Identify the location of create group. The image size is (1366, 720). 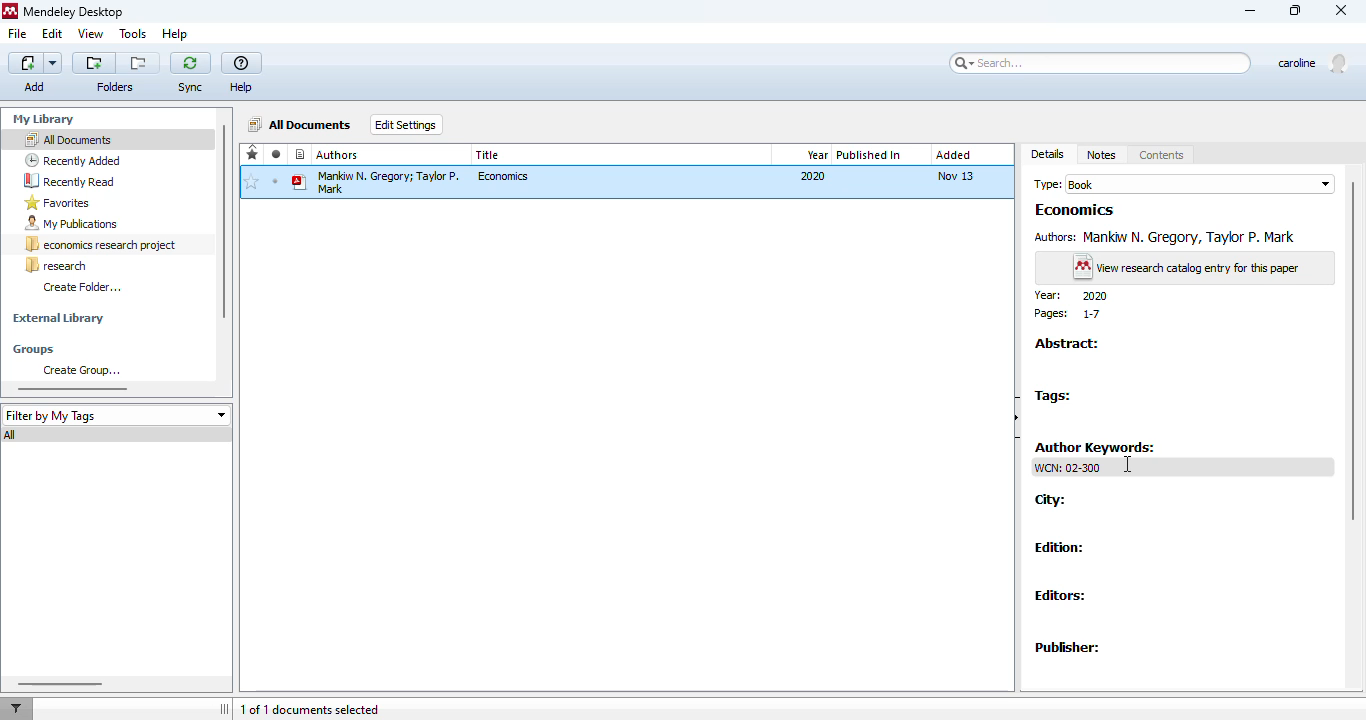
(84, 370).